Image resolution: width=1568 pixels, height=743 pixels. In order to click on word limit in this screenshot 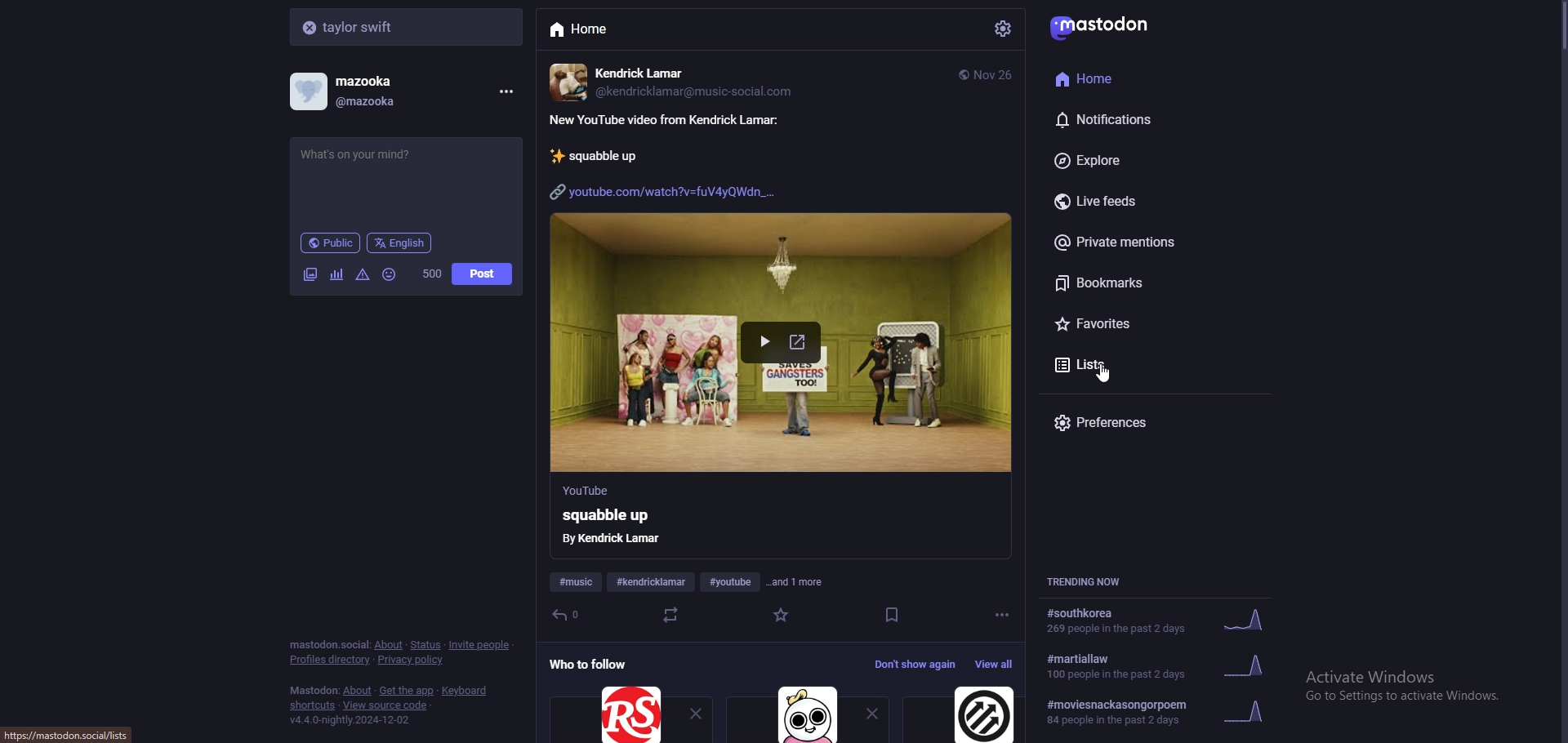, I will do `click(430, 274)`.